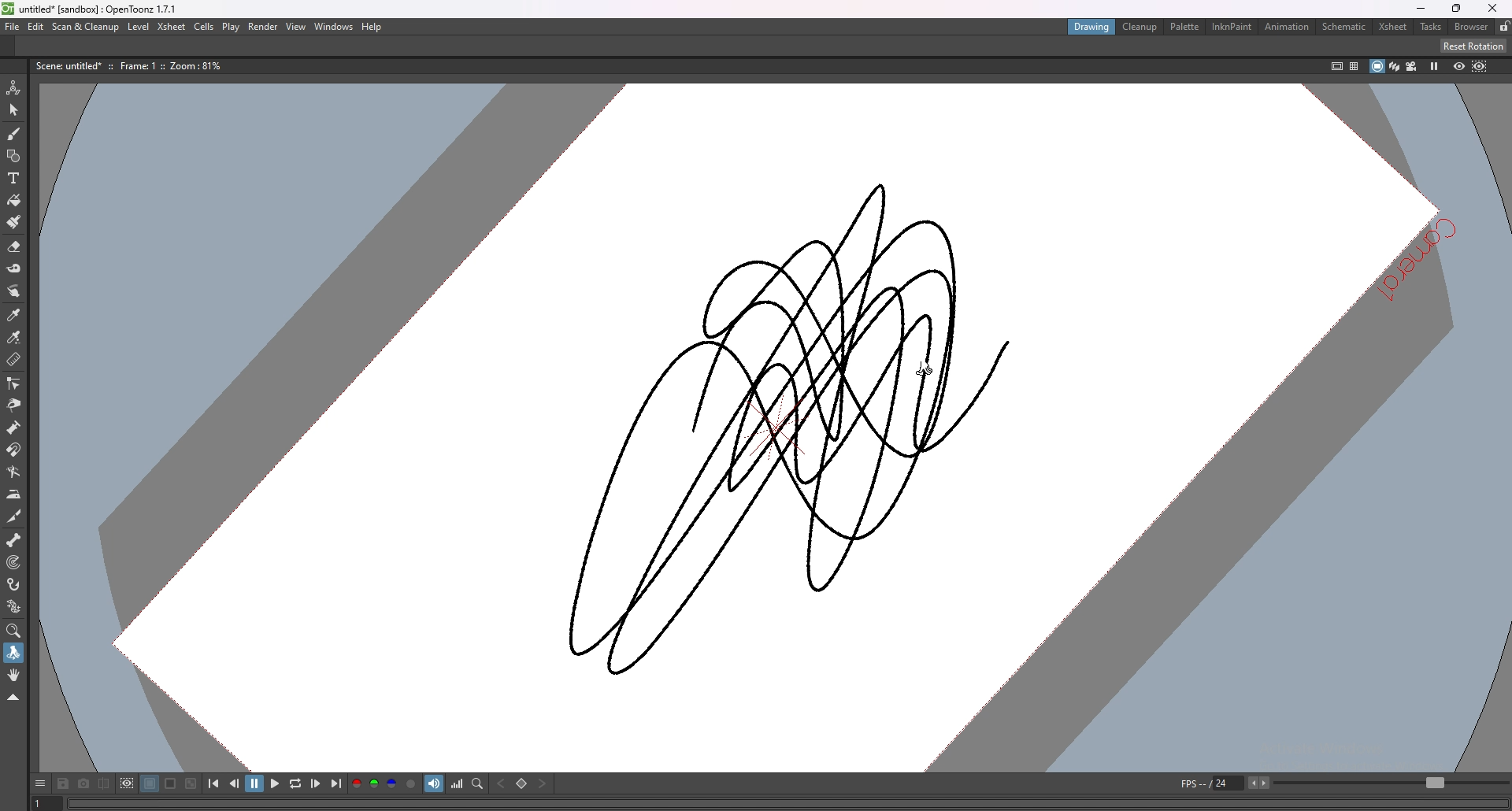 The height and width of the screenshot is (811, 1512). What do you see at coordinates (1354, 66) in the screenshot?
I see `field guide` at bounding box center [1354, 66].